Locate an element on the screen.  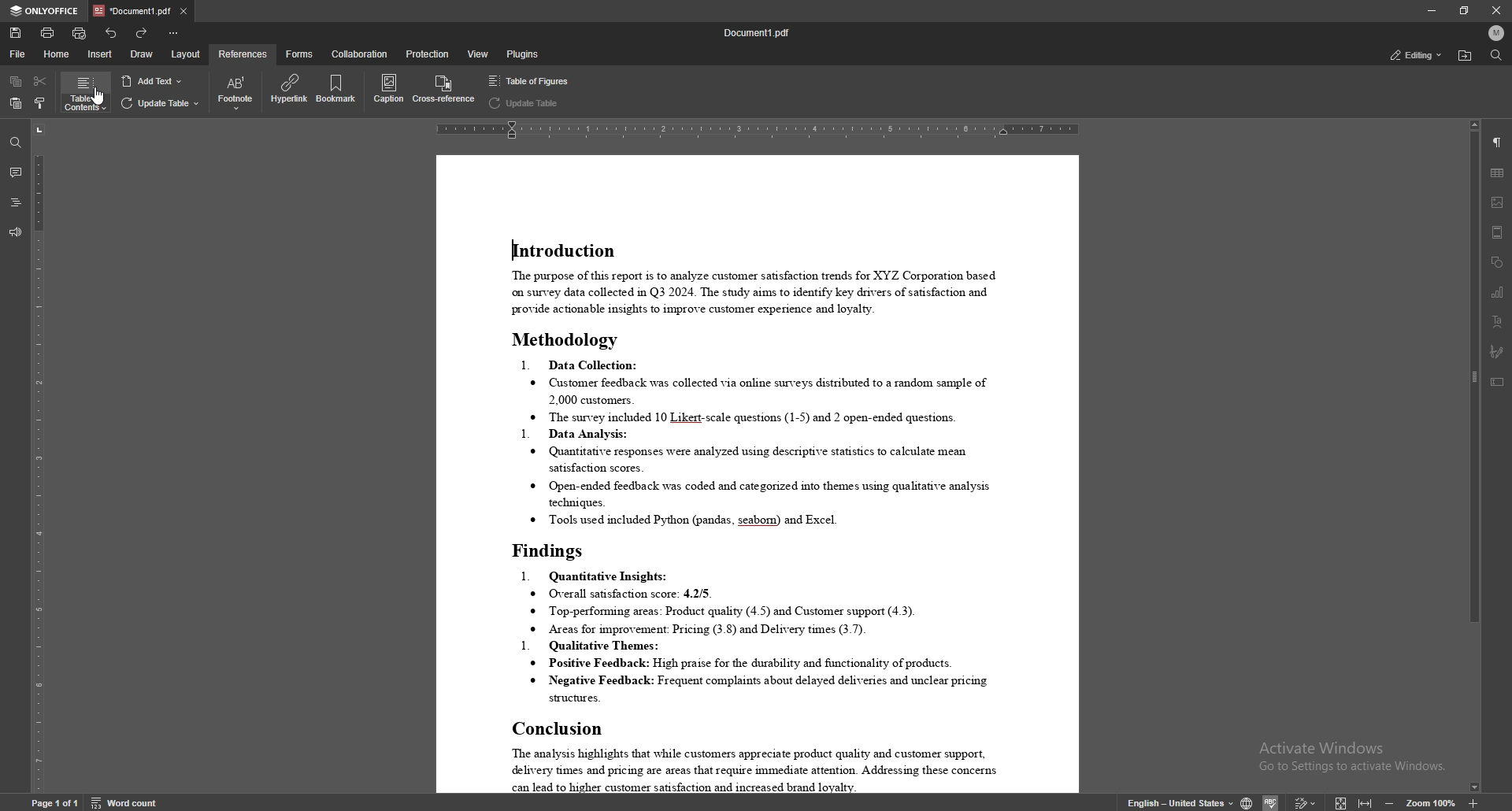
home is located at coordinates (56, 54).